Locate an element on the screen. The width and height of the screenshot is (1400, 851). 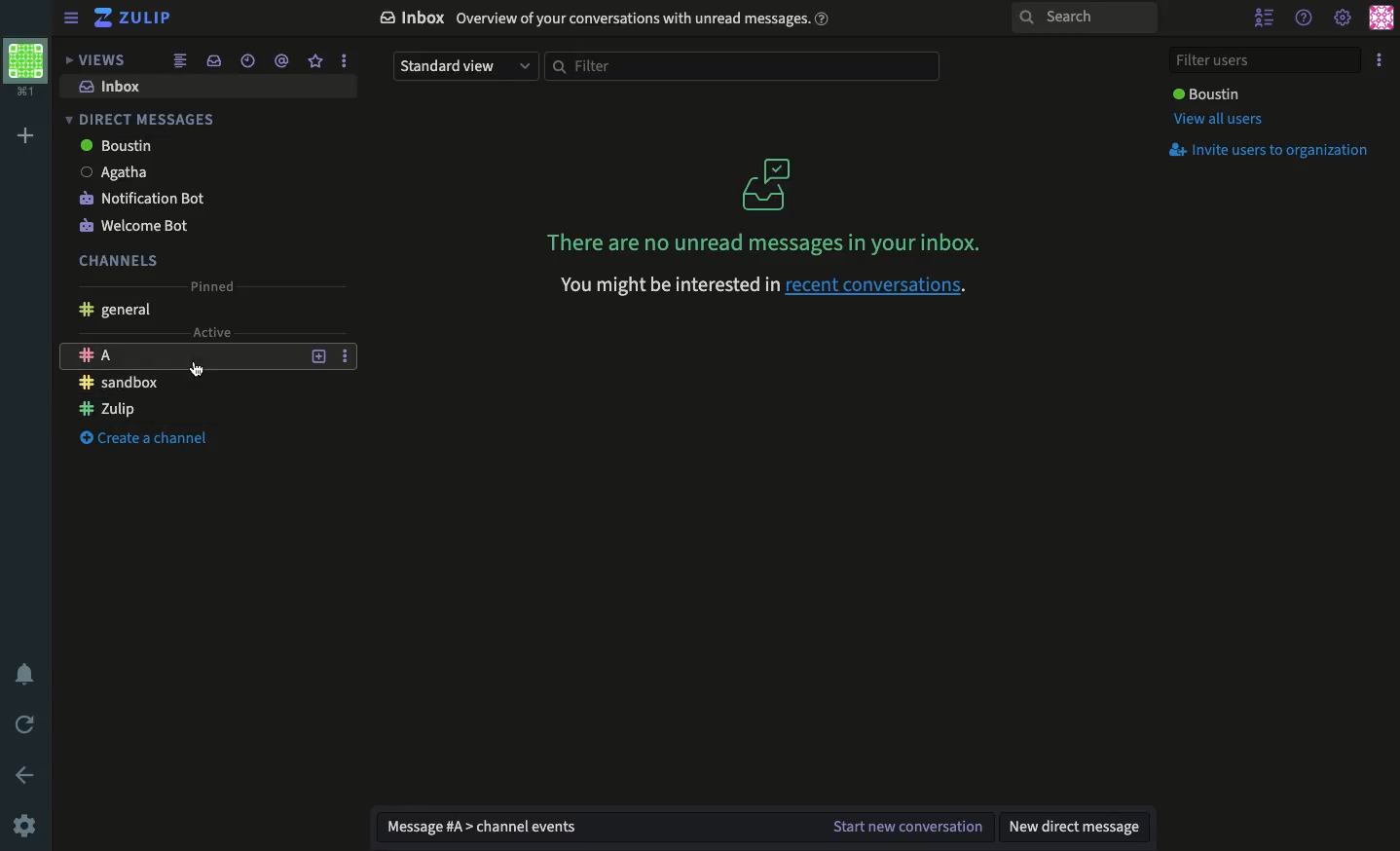
Messages is located at coordinates (594, 828).